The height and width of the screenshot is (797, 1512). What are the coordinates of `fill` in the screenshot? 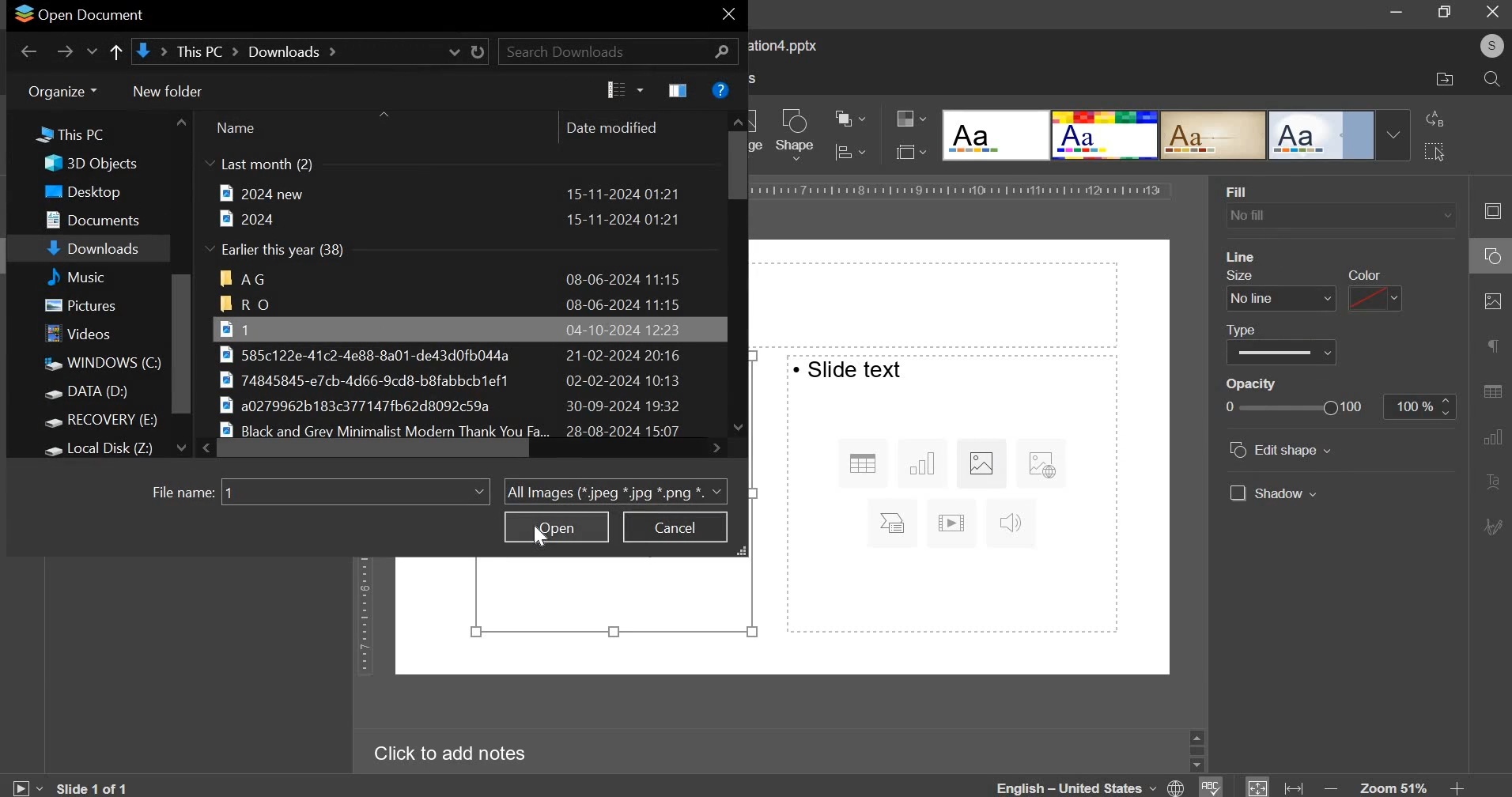 It's located at (1242, 190).